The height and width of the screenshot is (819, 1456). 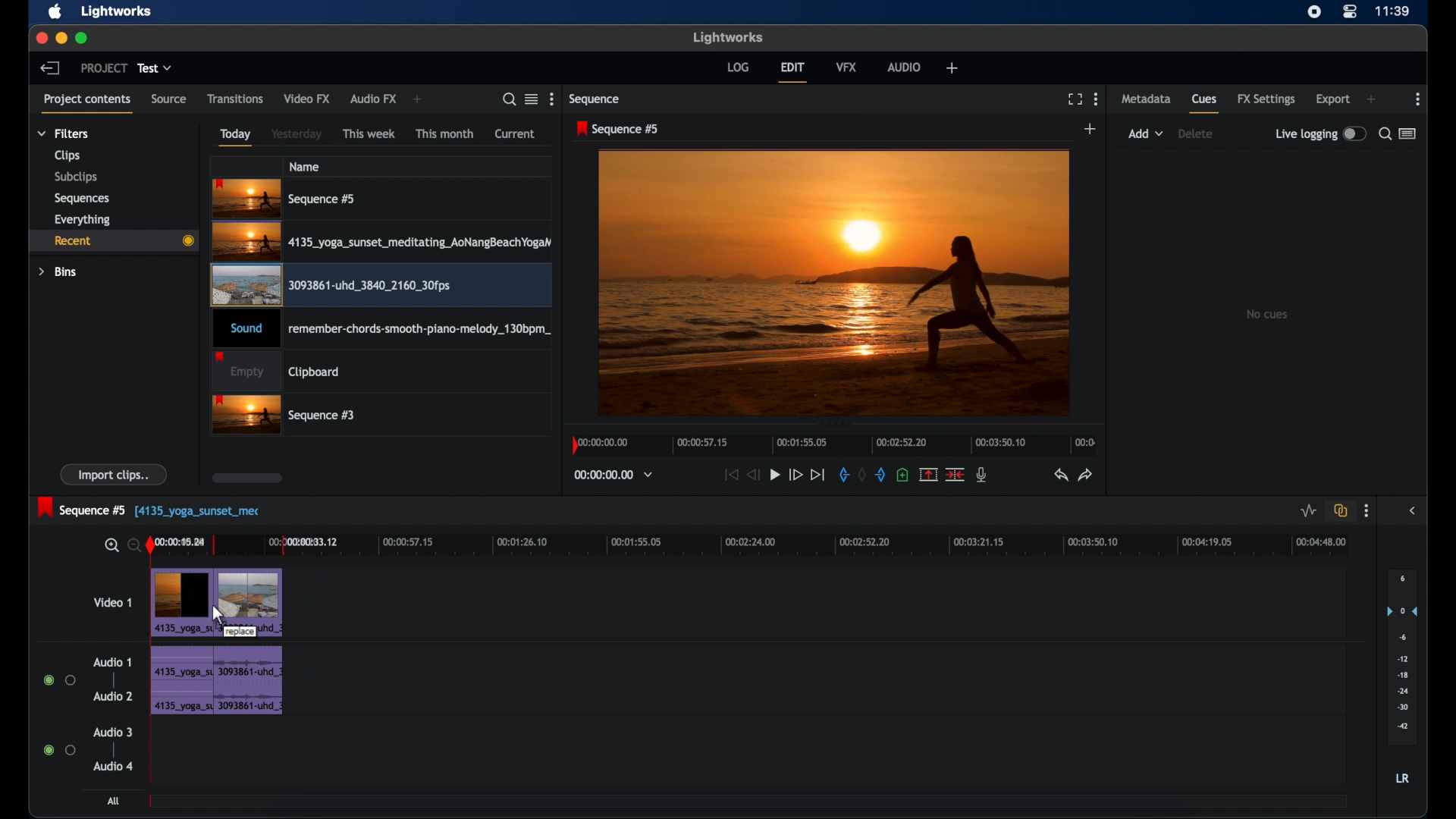 What do you see at coordinates (309, 99) in the screenshot?
I see `video fx` at bounding box center [309, 99].